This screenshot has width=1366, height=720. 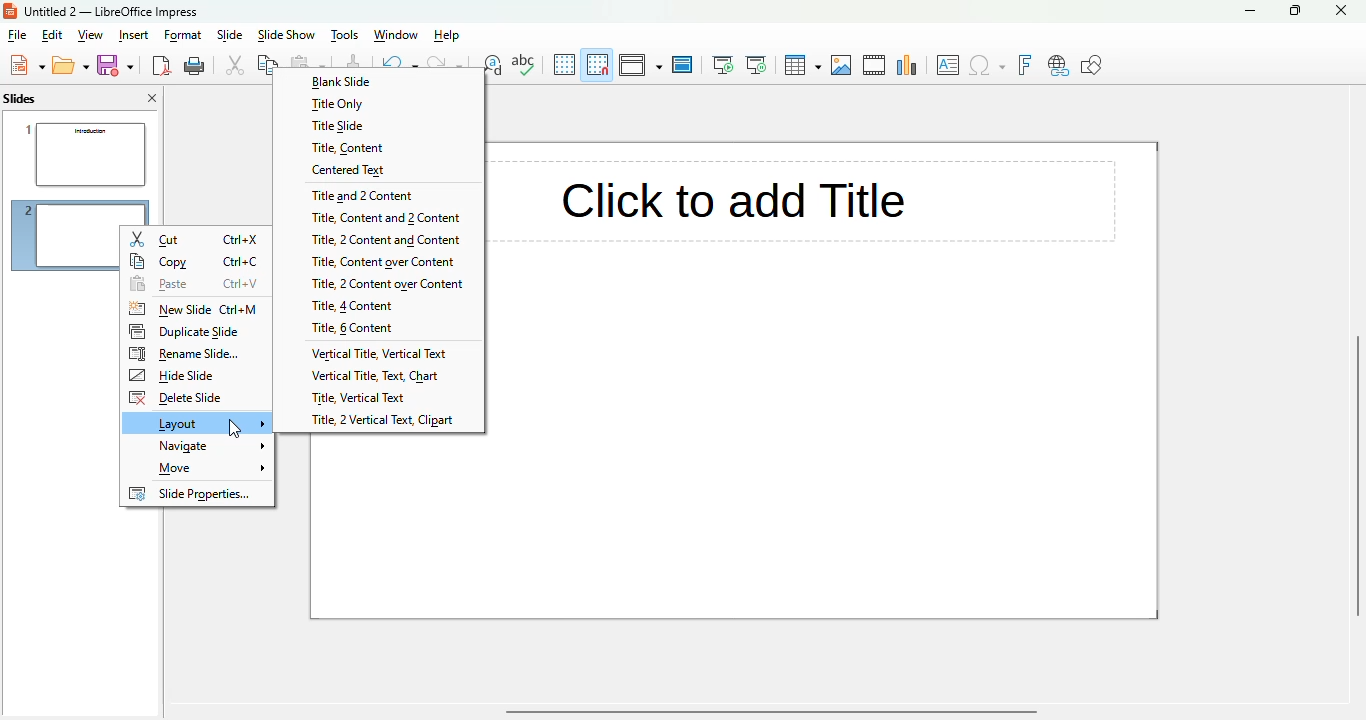 I want to click on copy, so click(x=197, y=262).